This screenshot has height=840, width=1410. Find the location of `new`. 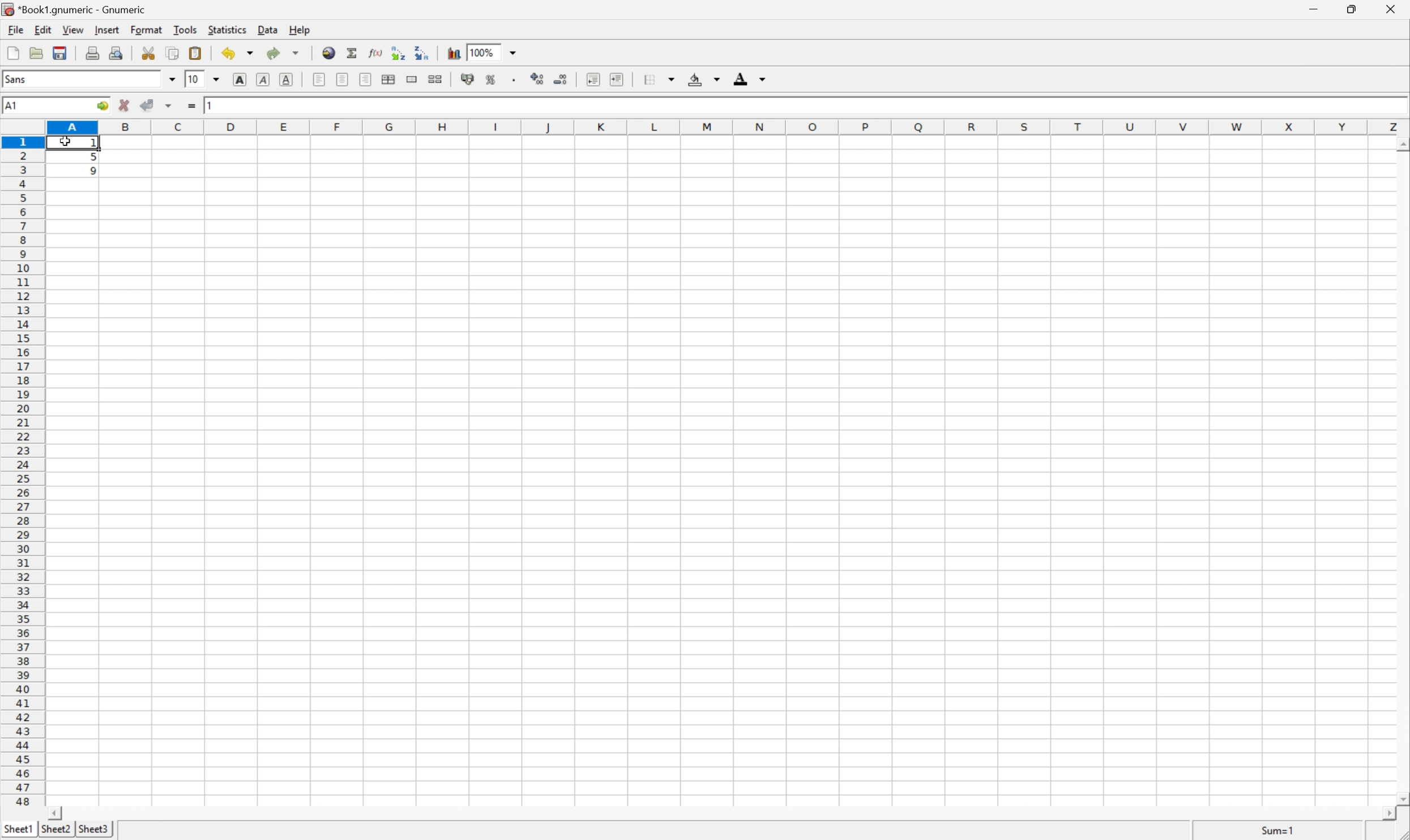

new is located at coordinates (14, 50).